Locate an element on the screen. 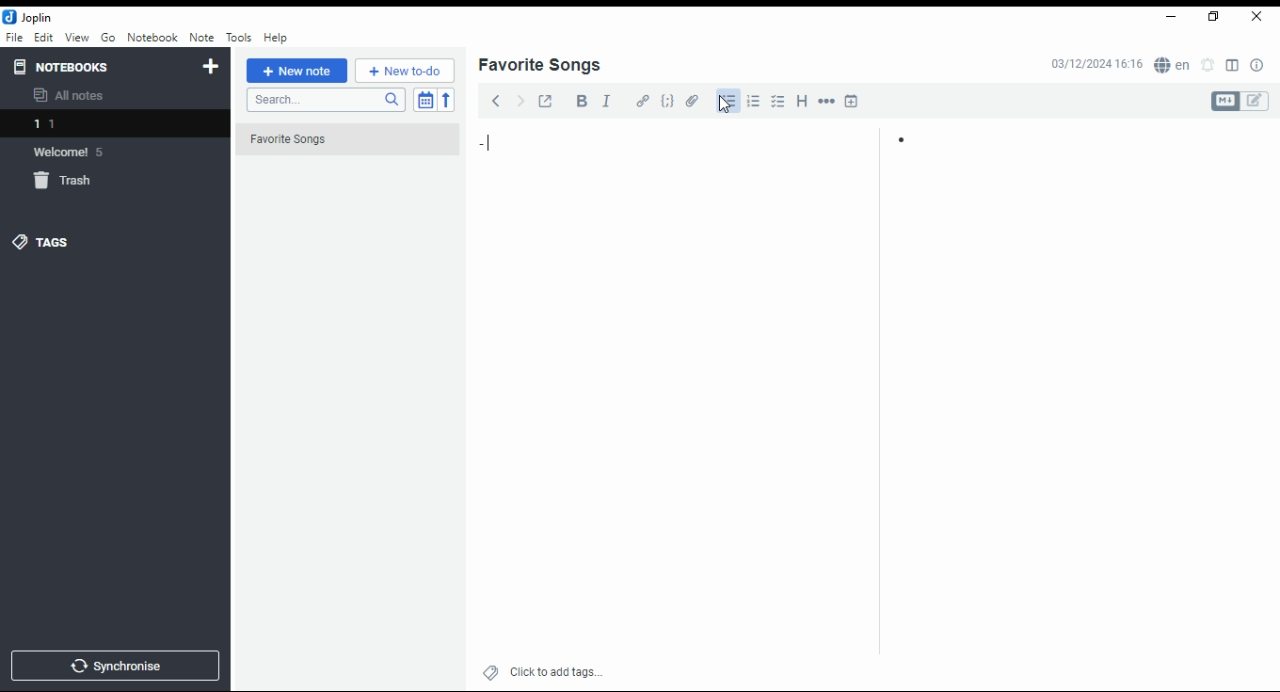 The width and height of the screenshot is (1280, 692). tools is located at coordinates (240, 38).